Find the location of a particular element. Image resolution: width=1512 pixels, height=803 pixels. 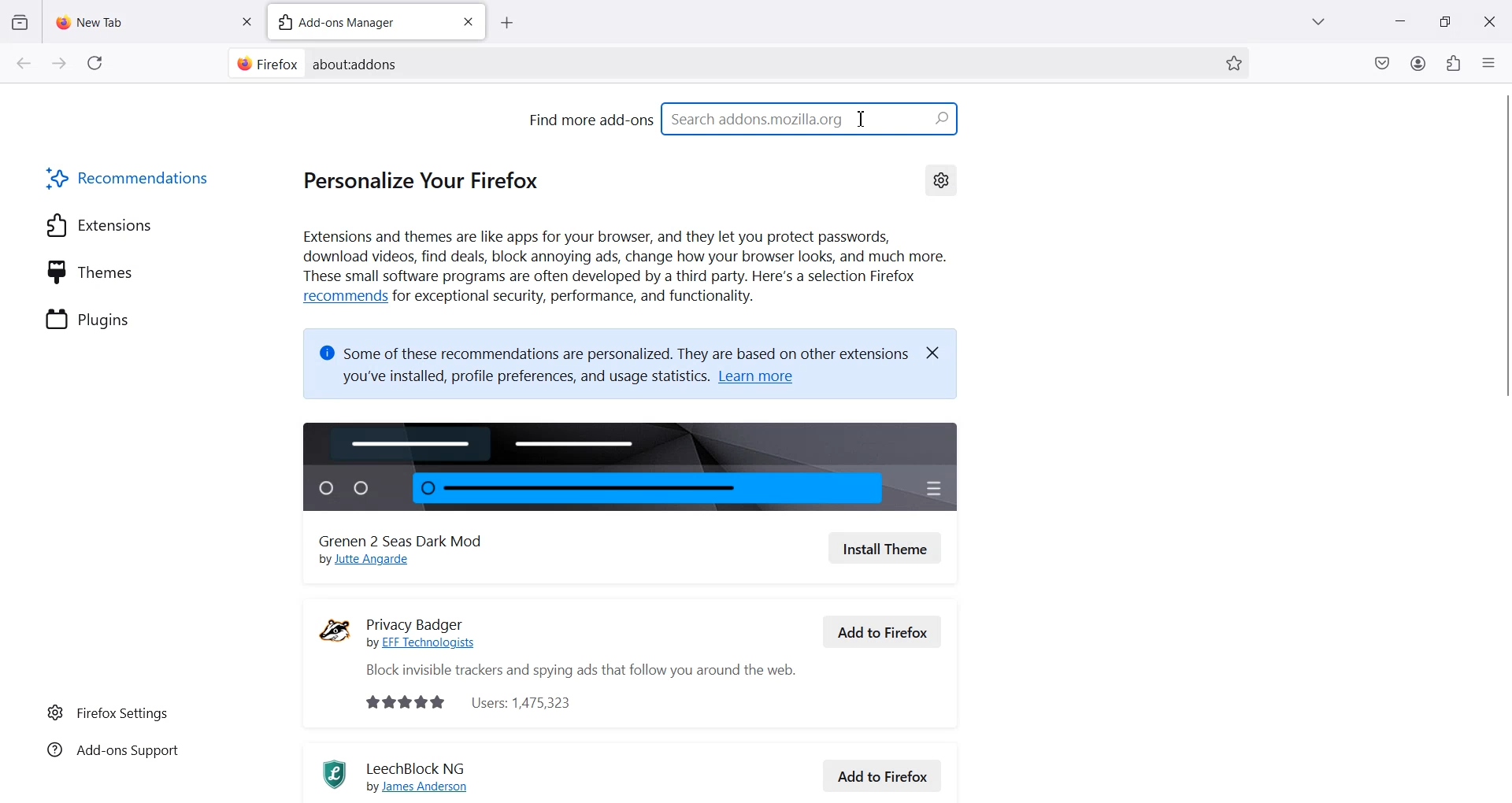

Account is located at coordinates (1419, 63).